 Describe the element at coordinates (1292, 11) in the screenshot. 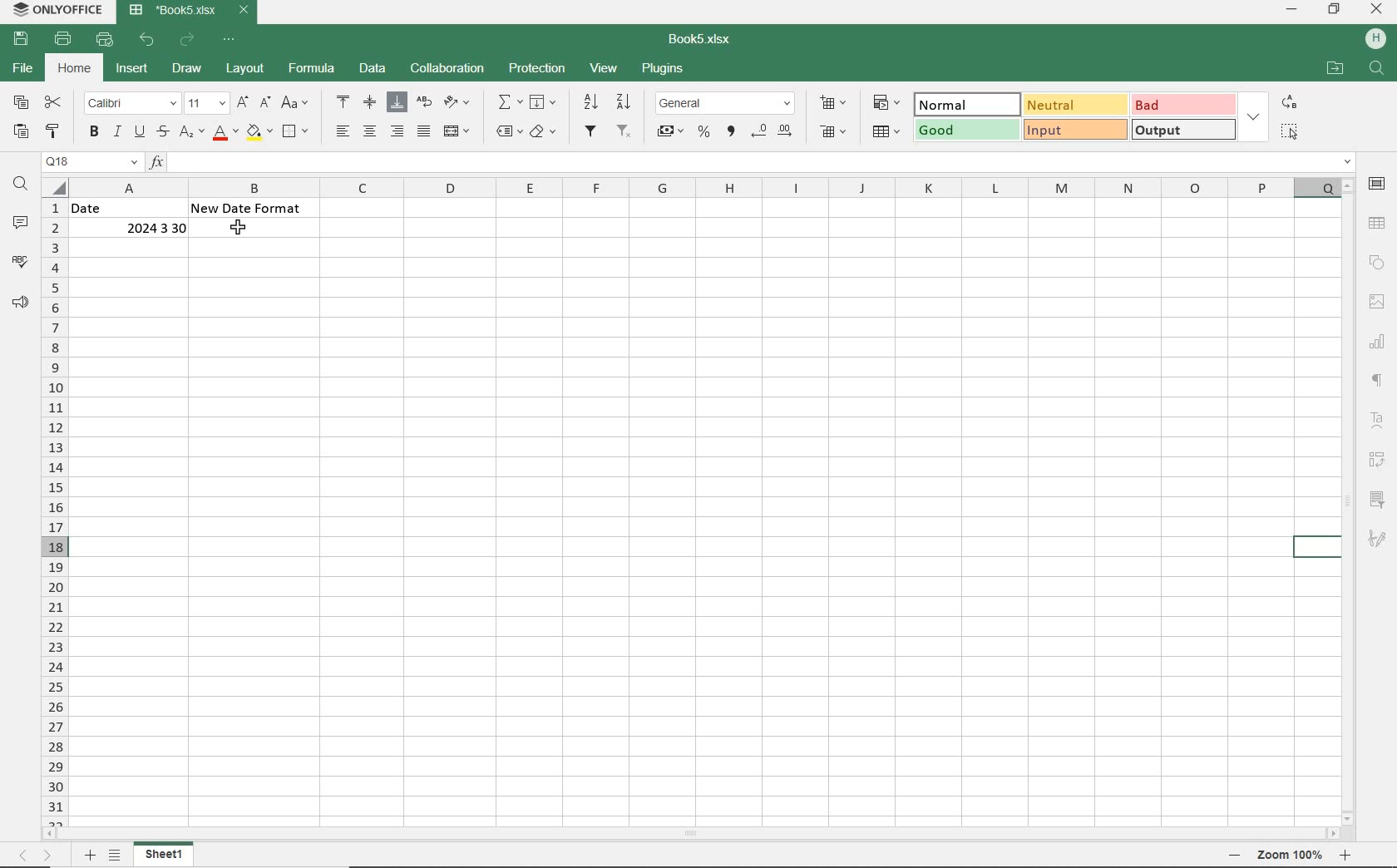

I see `MINIMIZE` at that location.